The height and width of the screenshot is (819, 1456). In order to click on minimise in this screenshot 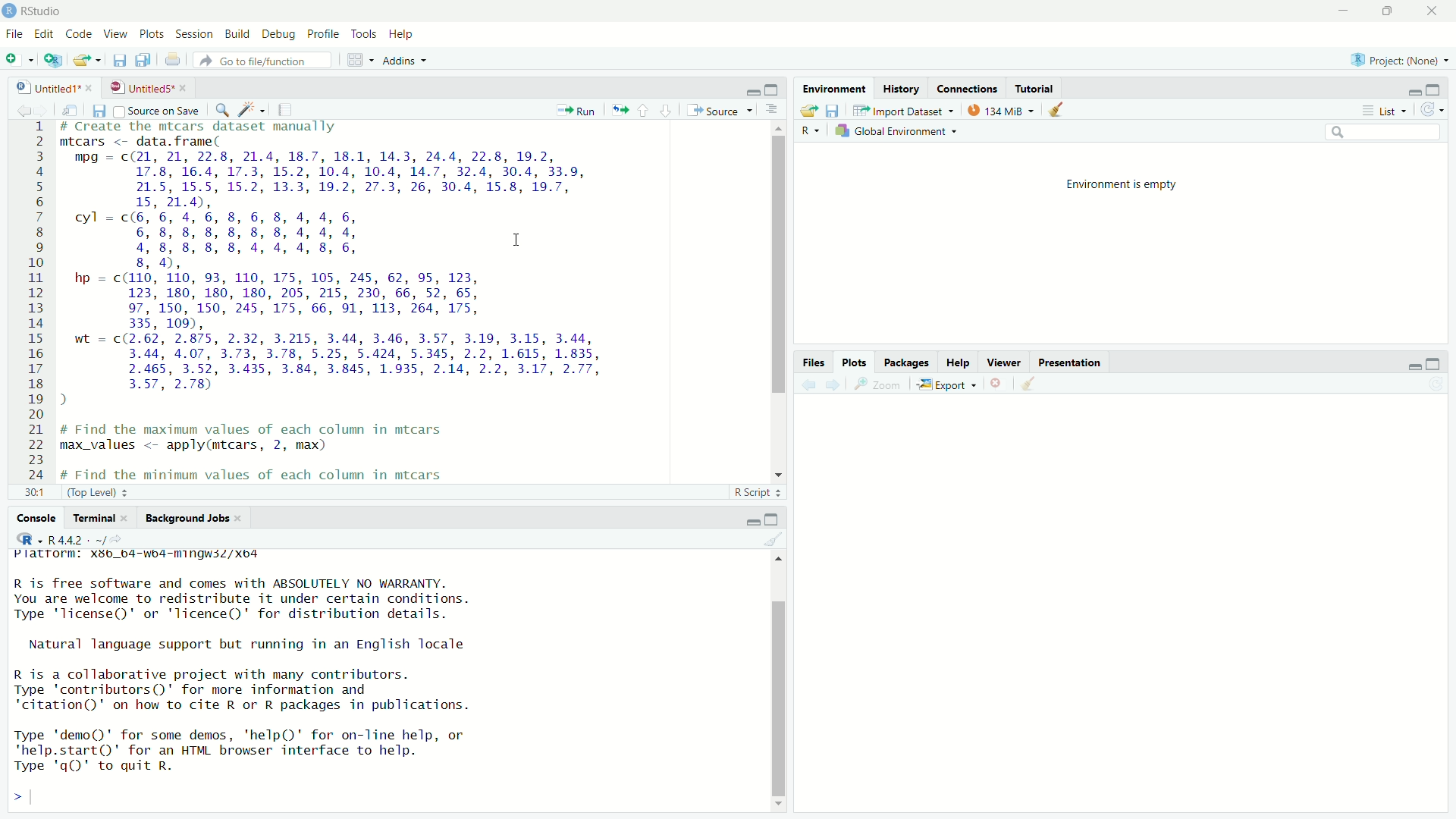, I will do `click(740, 89)`.